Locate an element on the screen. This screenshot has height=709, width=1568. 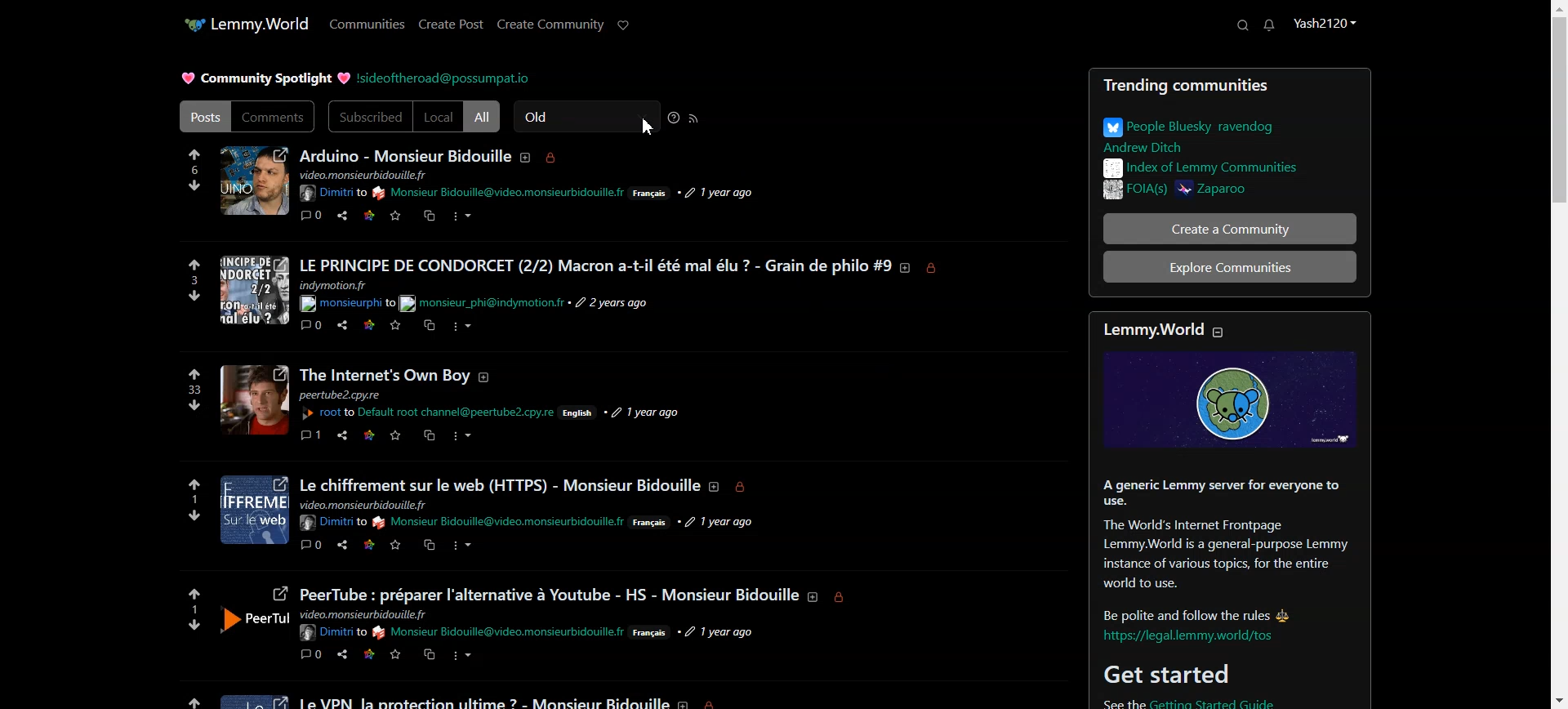
share is located at coordinates (342, 652).